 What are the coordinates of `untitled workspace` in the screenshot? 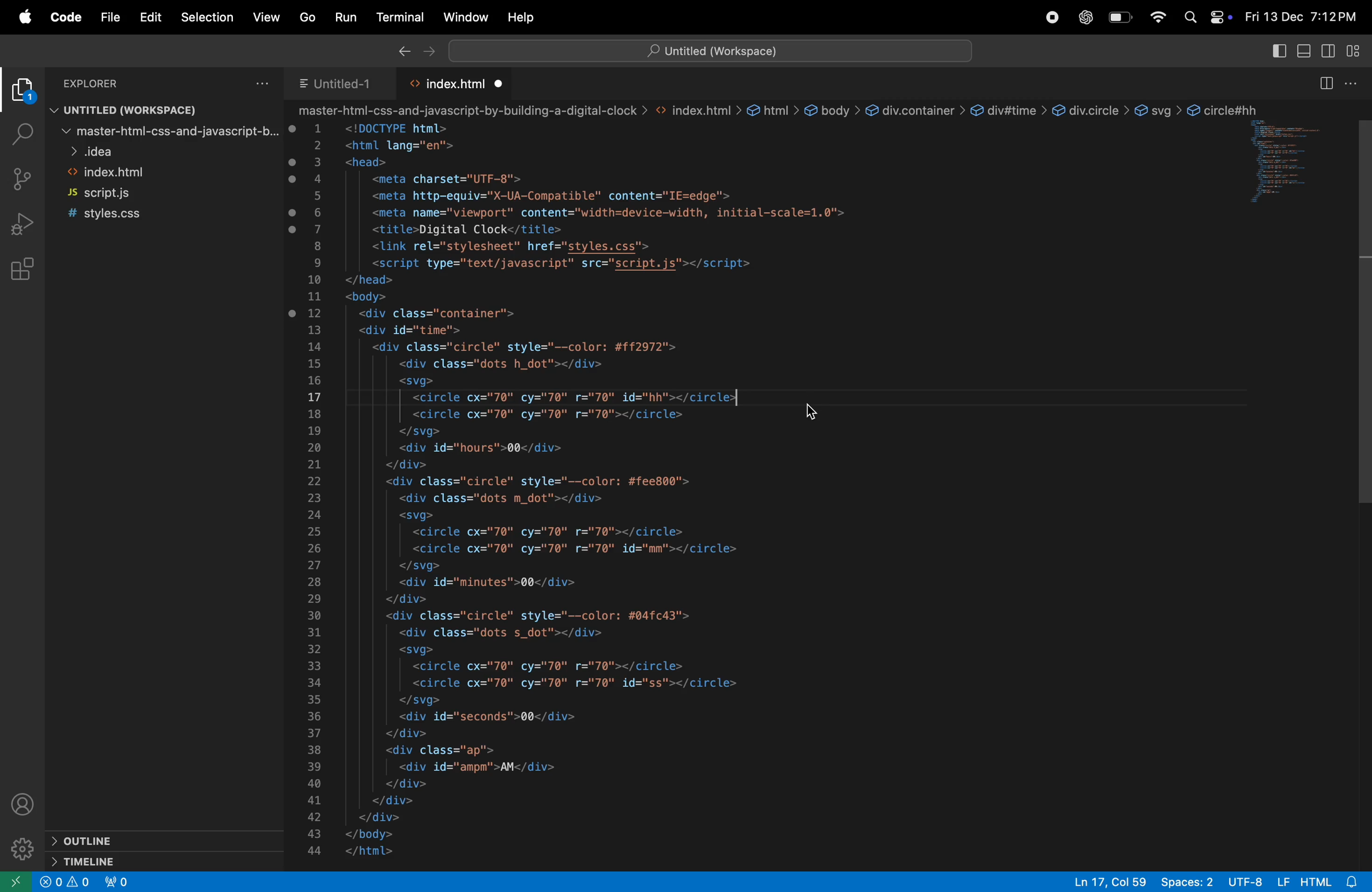 It's located at (119, 111).